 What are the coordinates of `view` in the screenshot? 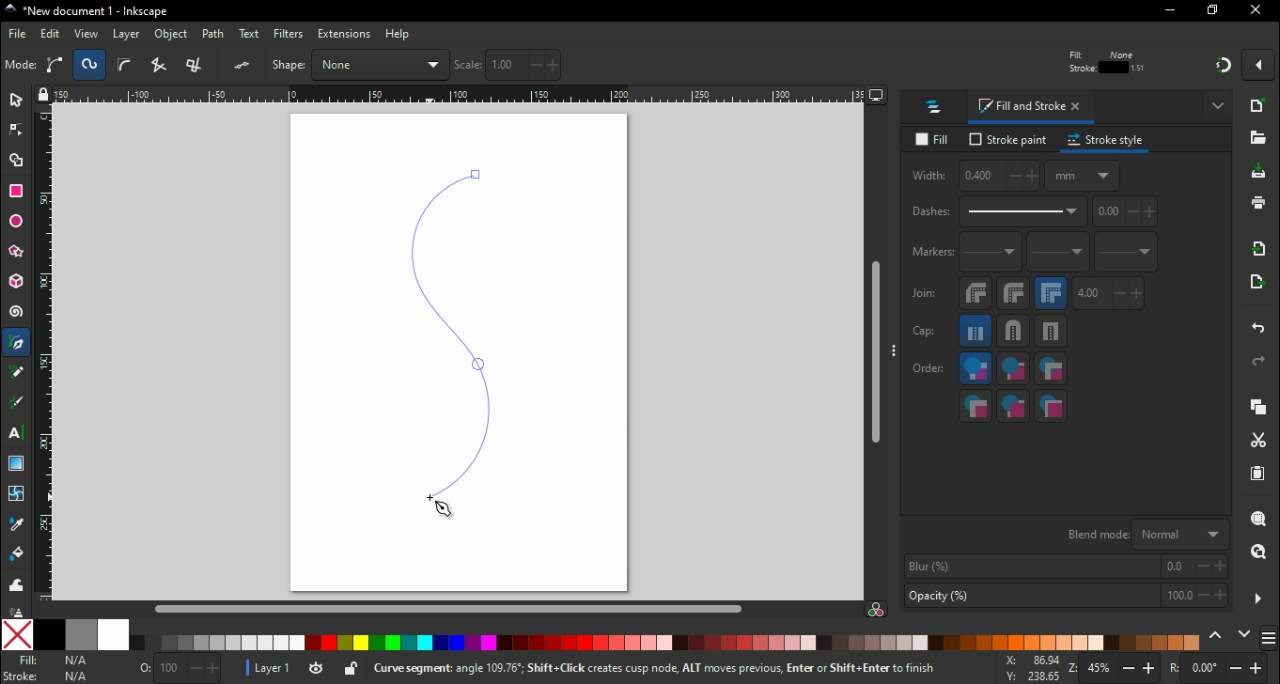 It's located at (85, 34).